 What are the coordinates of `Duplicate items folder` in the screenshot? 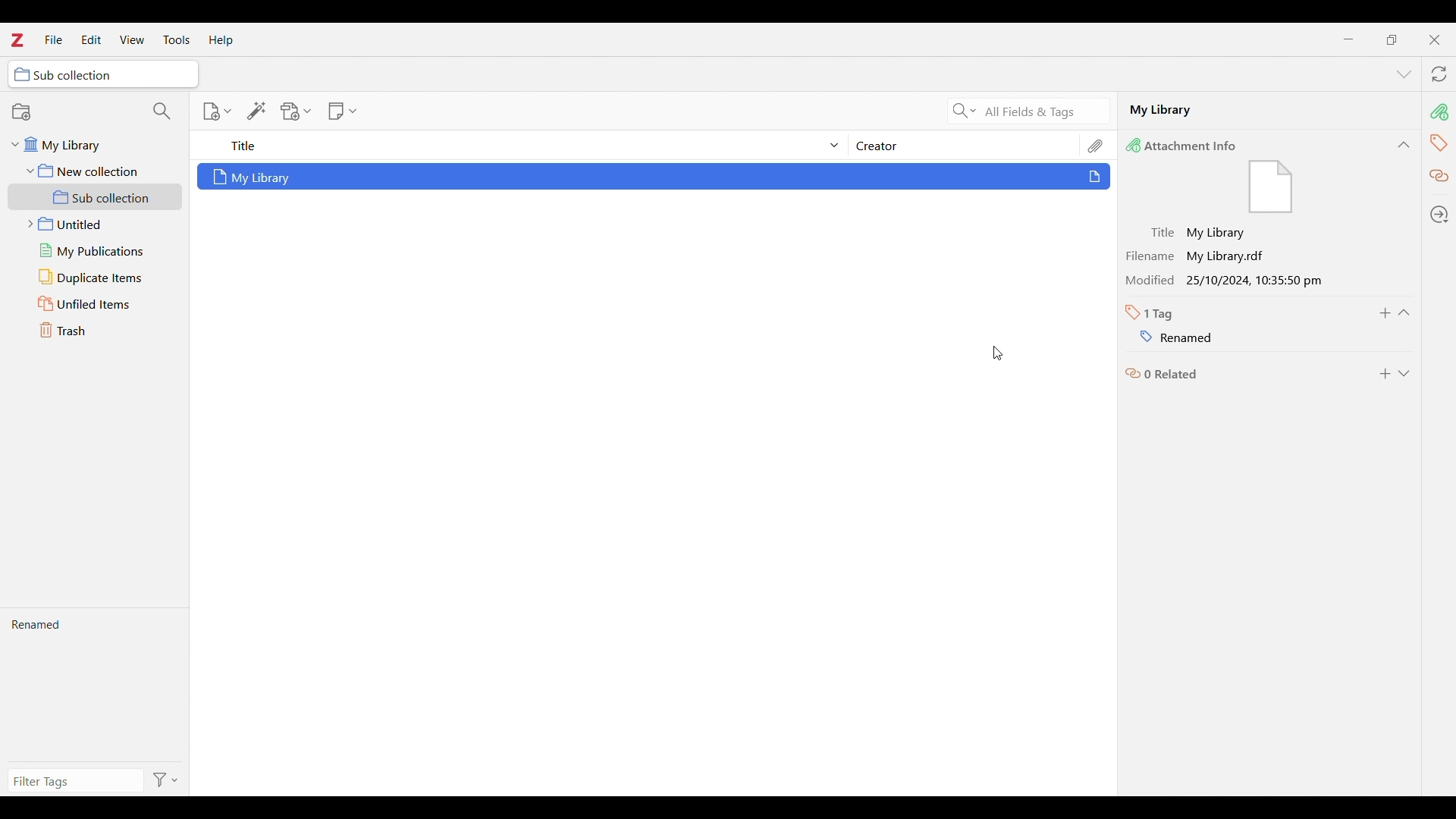 It's located at (96, 278).